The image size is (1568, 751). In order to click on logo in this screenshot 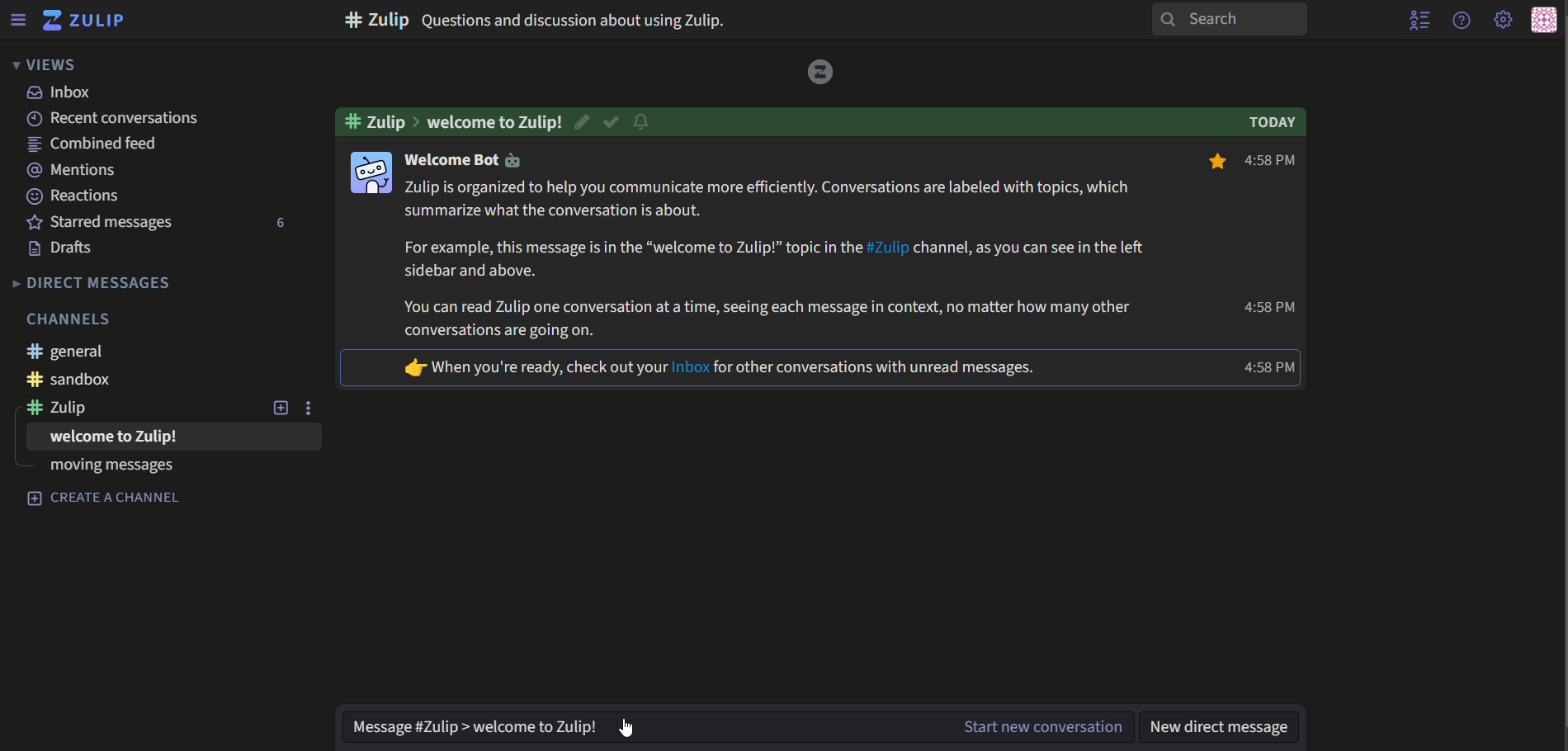, I will do `click(816, 73)`.